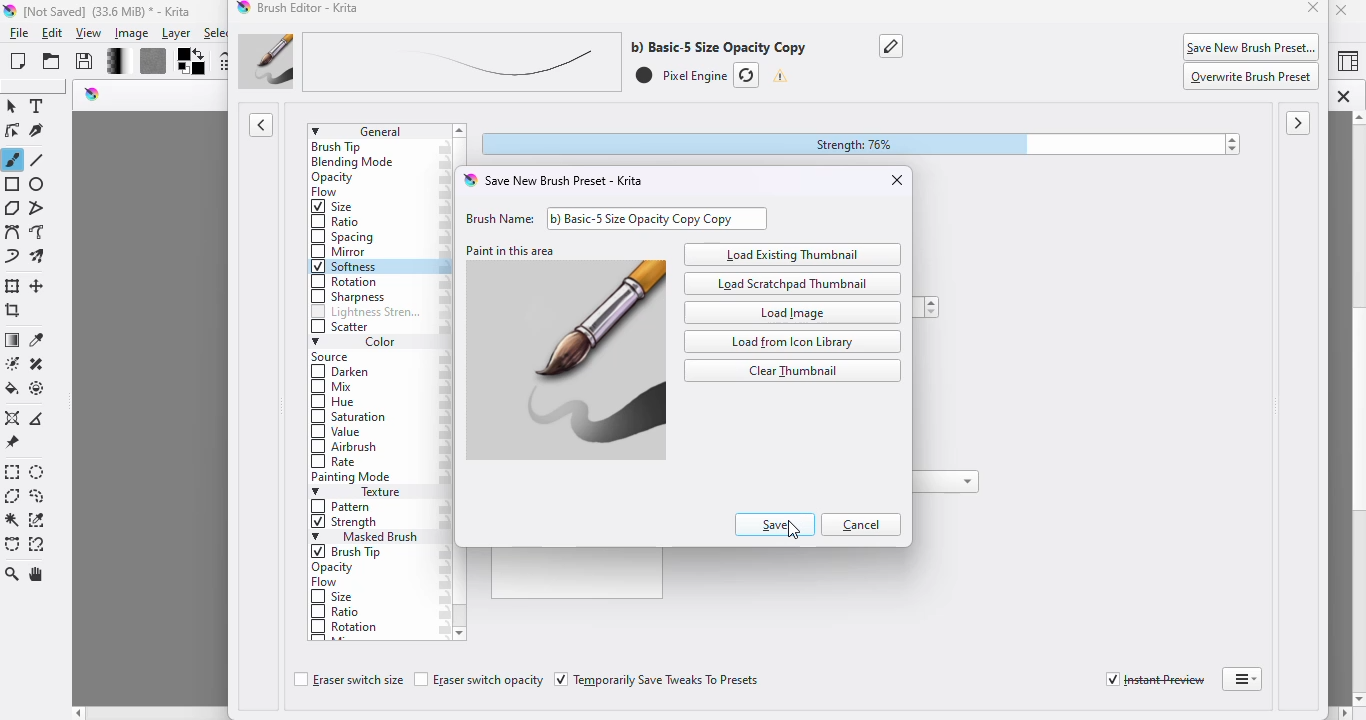 This screenshot has height=720, width=1366. I want to click on softness, so click(345, 267).